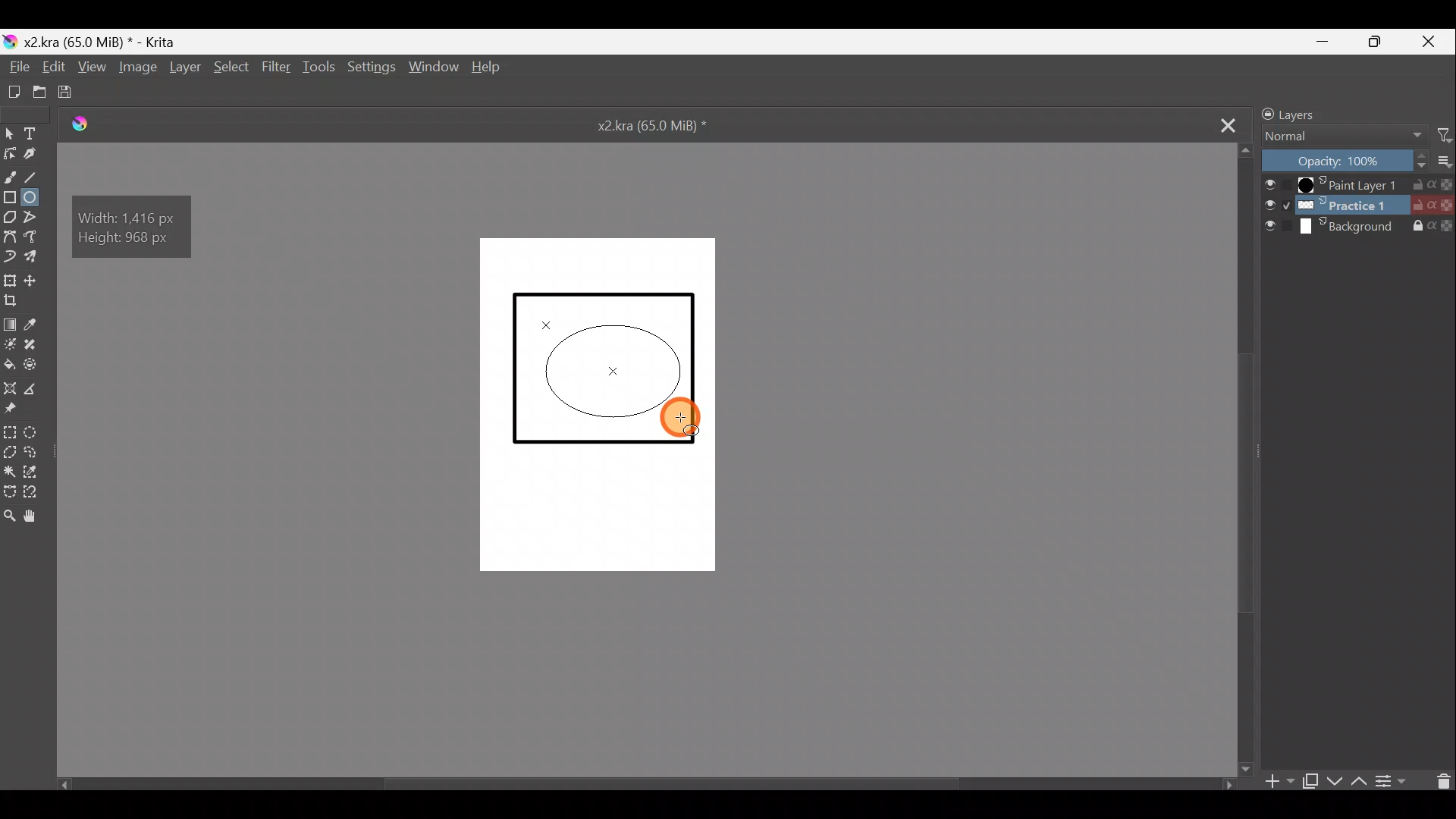  I want to click on Layers, so click(1304, 113).